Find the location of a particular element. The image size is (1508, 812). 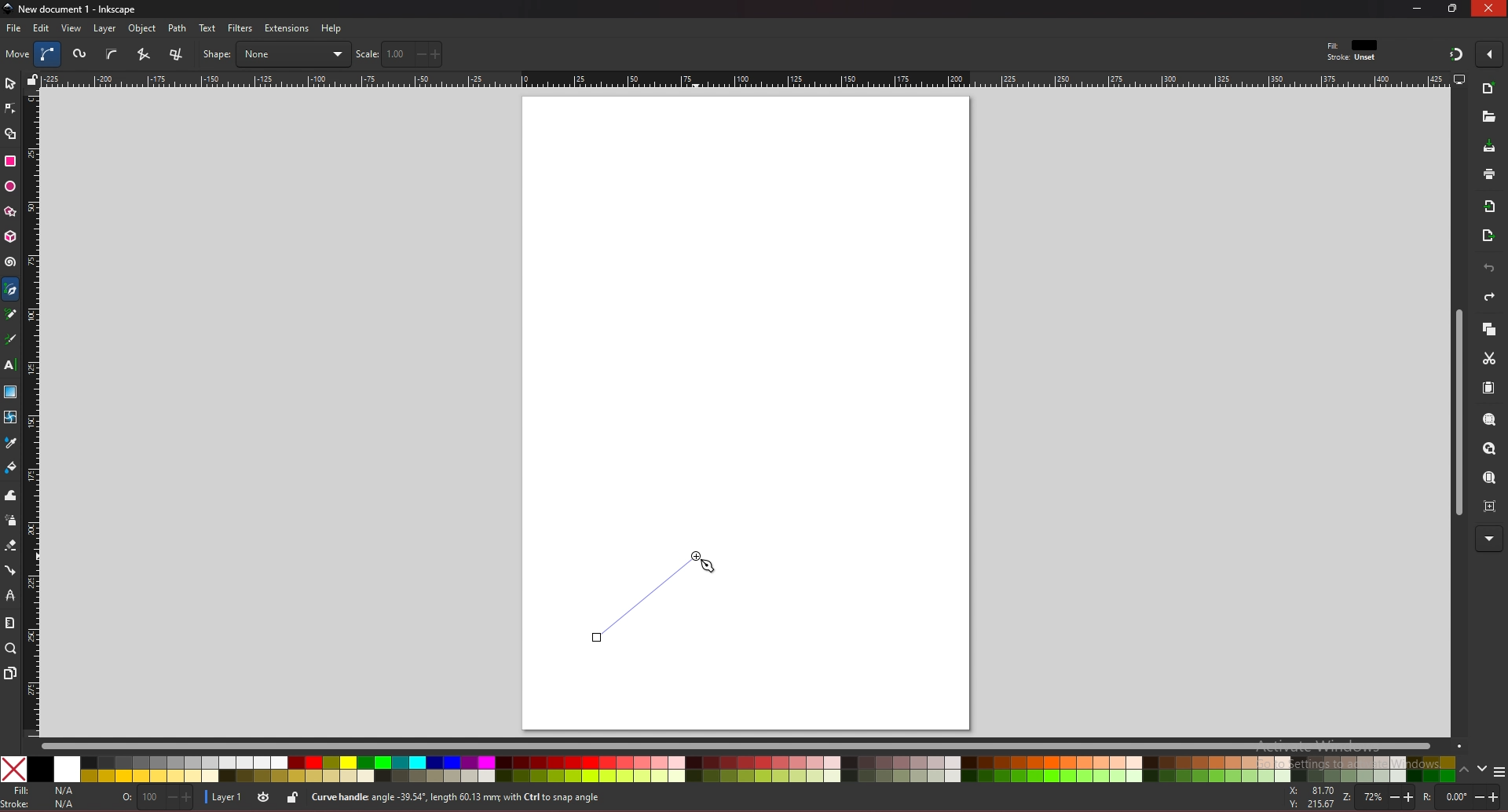

move is located at coordinates (18, 53).